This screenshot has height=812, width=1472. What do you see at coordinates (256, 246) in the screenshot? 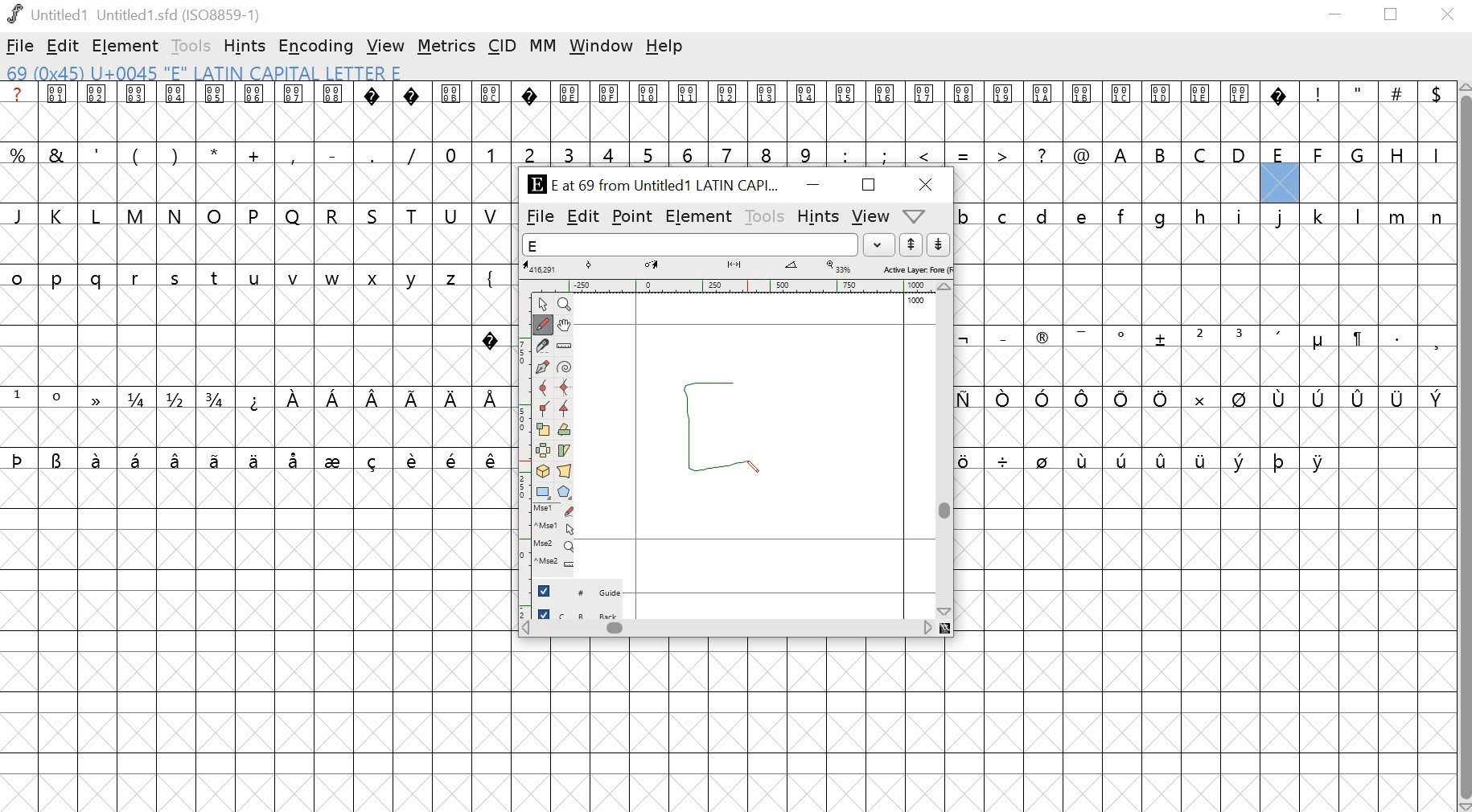
I see `empty cells` at bounding box center [256, 246].